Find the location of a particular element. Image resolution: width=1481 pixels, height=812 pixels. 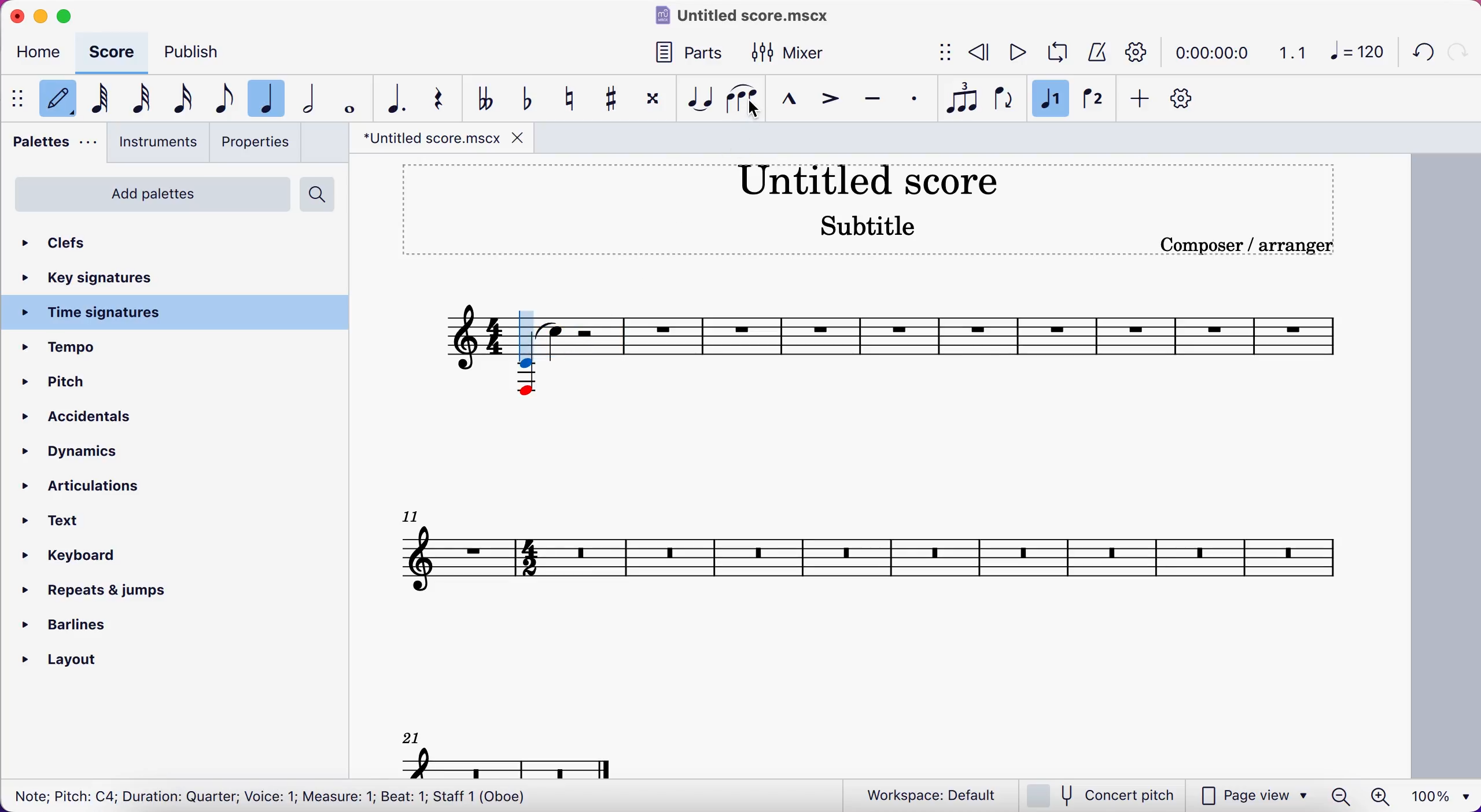

dynamics is located at coordinates (78, 453).